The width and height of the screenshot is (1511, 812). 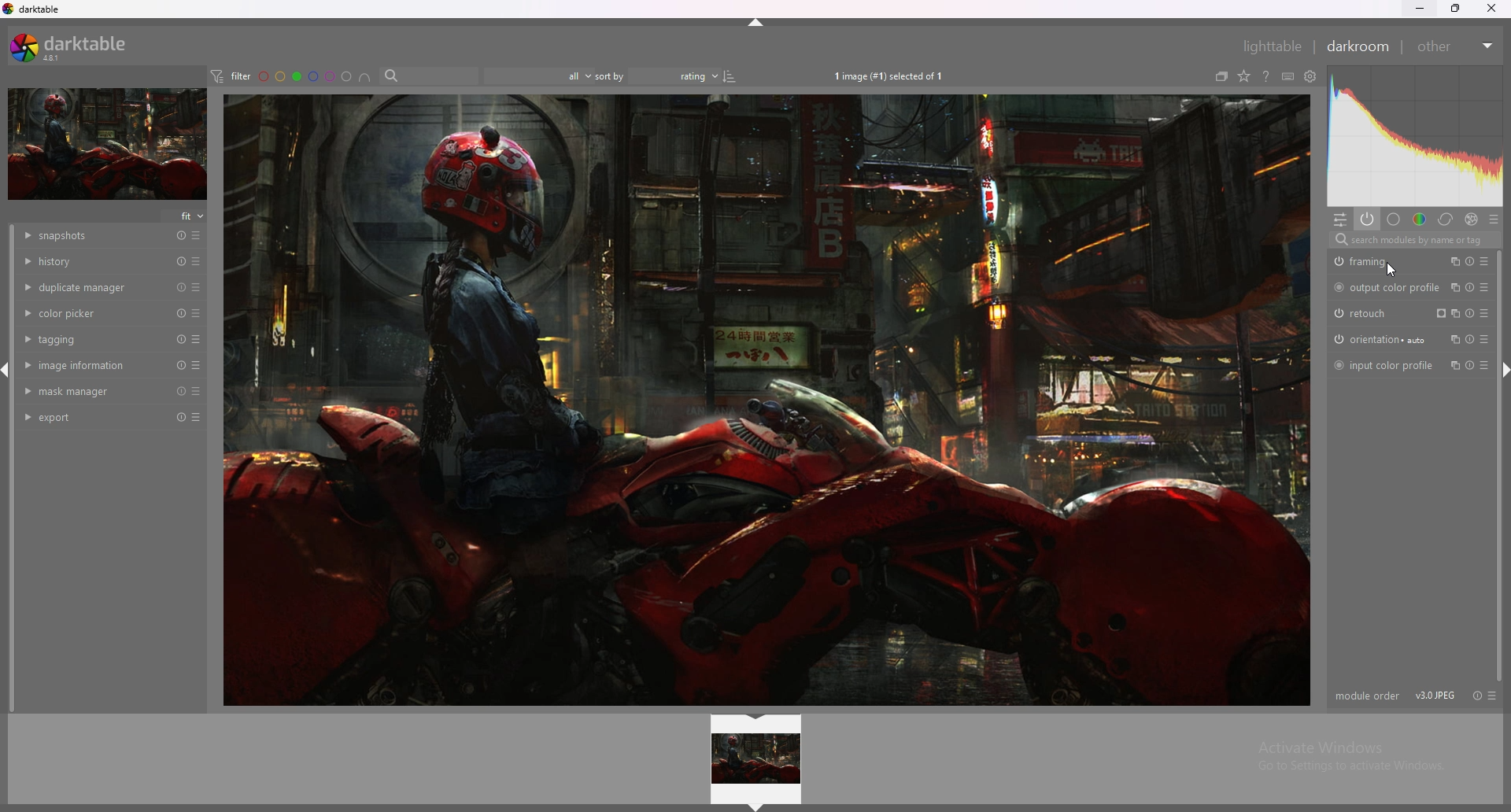 I want to click on resize, so click(x=1458, y=8).